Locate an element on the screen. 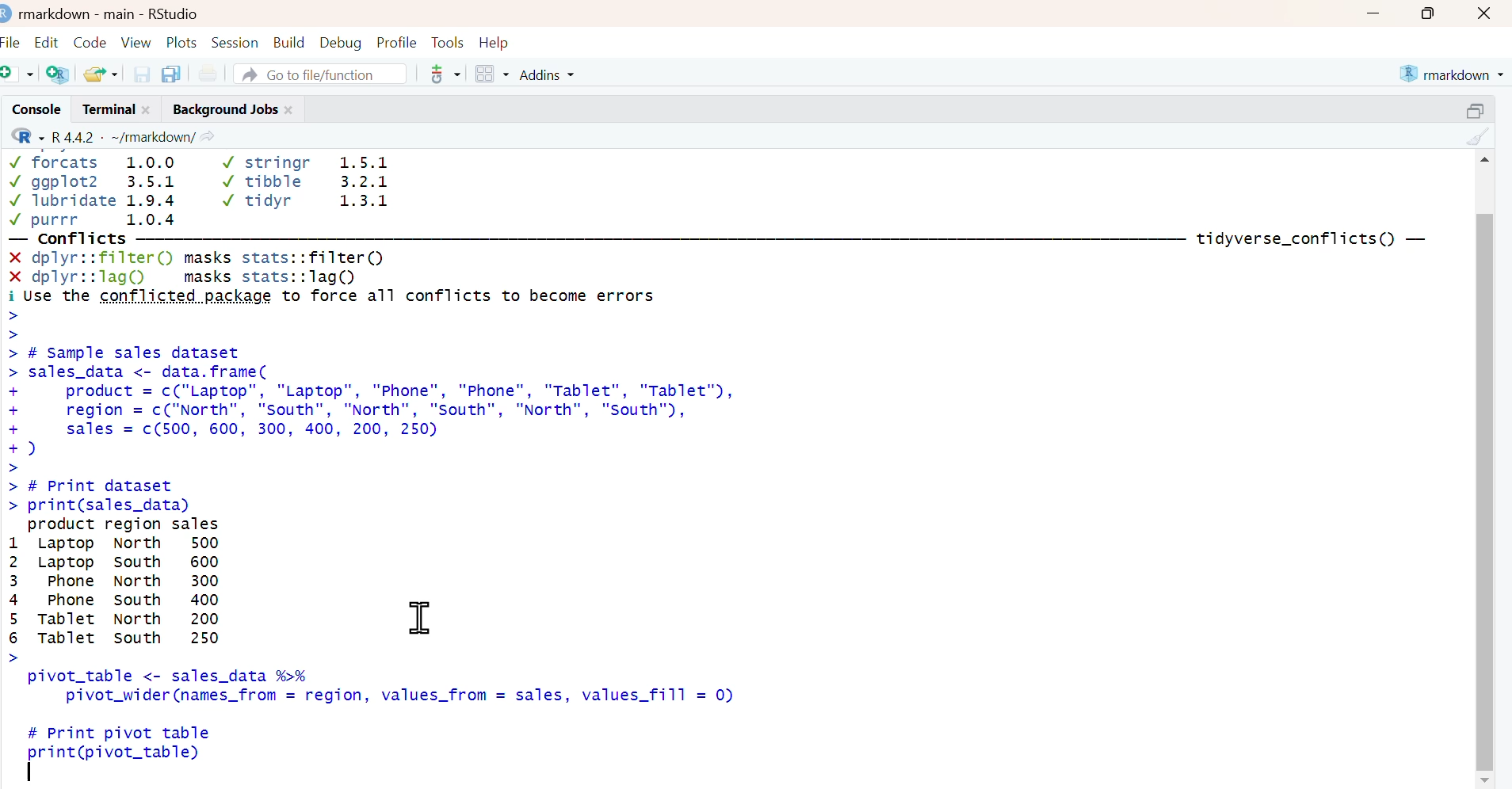 The image size is (1512, 789). Background Jobs is located at coordinates (223, 108).